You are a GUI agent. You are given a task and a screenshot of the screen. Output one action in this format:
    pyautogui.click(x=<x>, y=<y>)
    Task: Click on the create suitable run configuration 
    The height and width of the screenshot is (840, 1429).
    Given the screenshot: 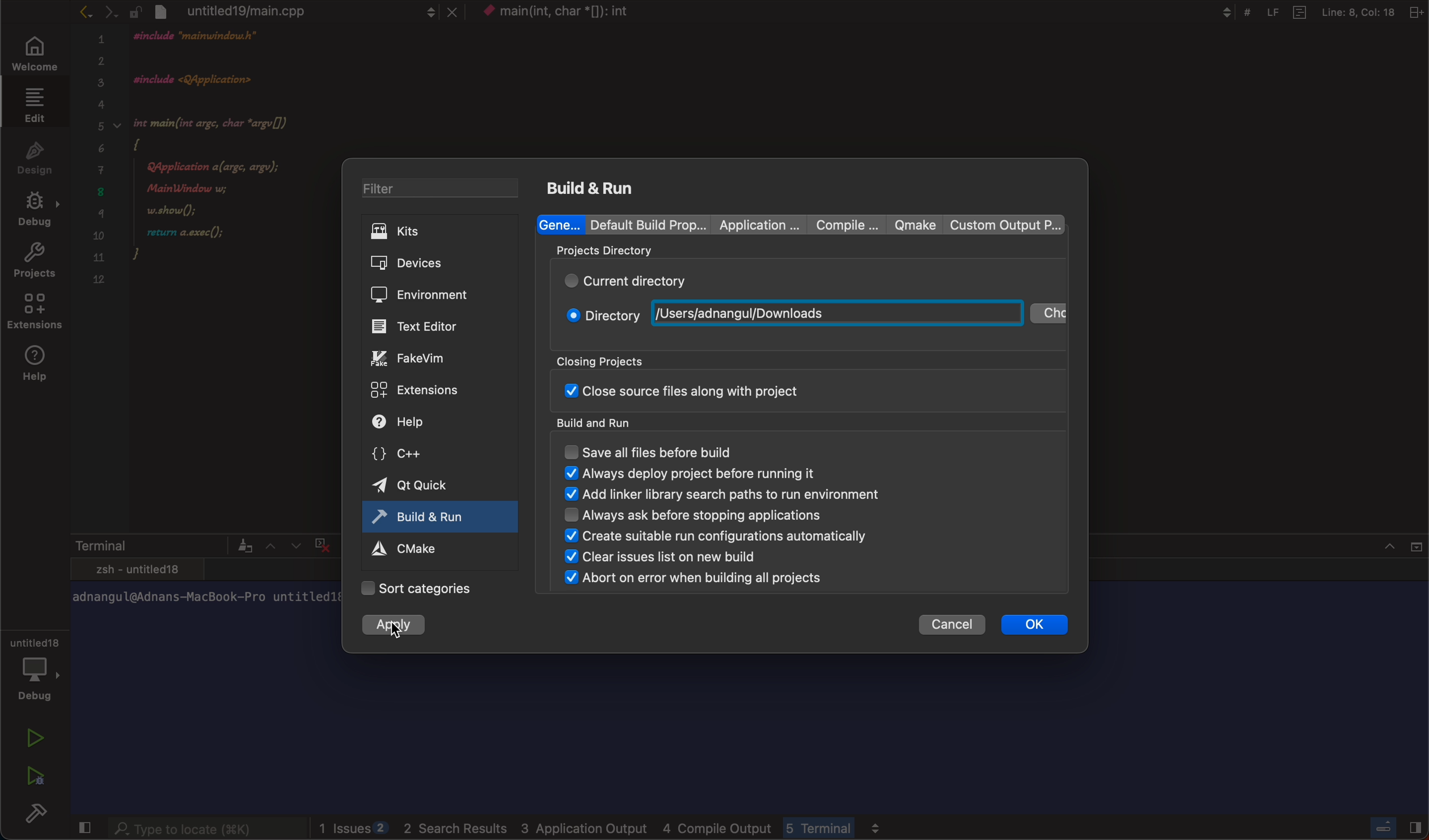 What is the action you would take?
    pyautogui.click(x=715, y=538)
    